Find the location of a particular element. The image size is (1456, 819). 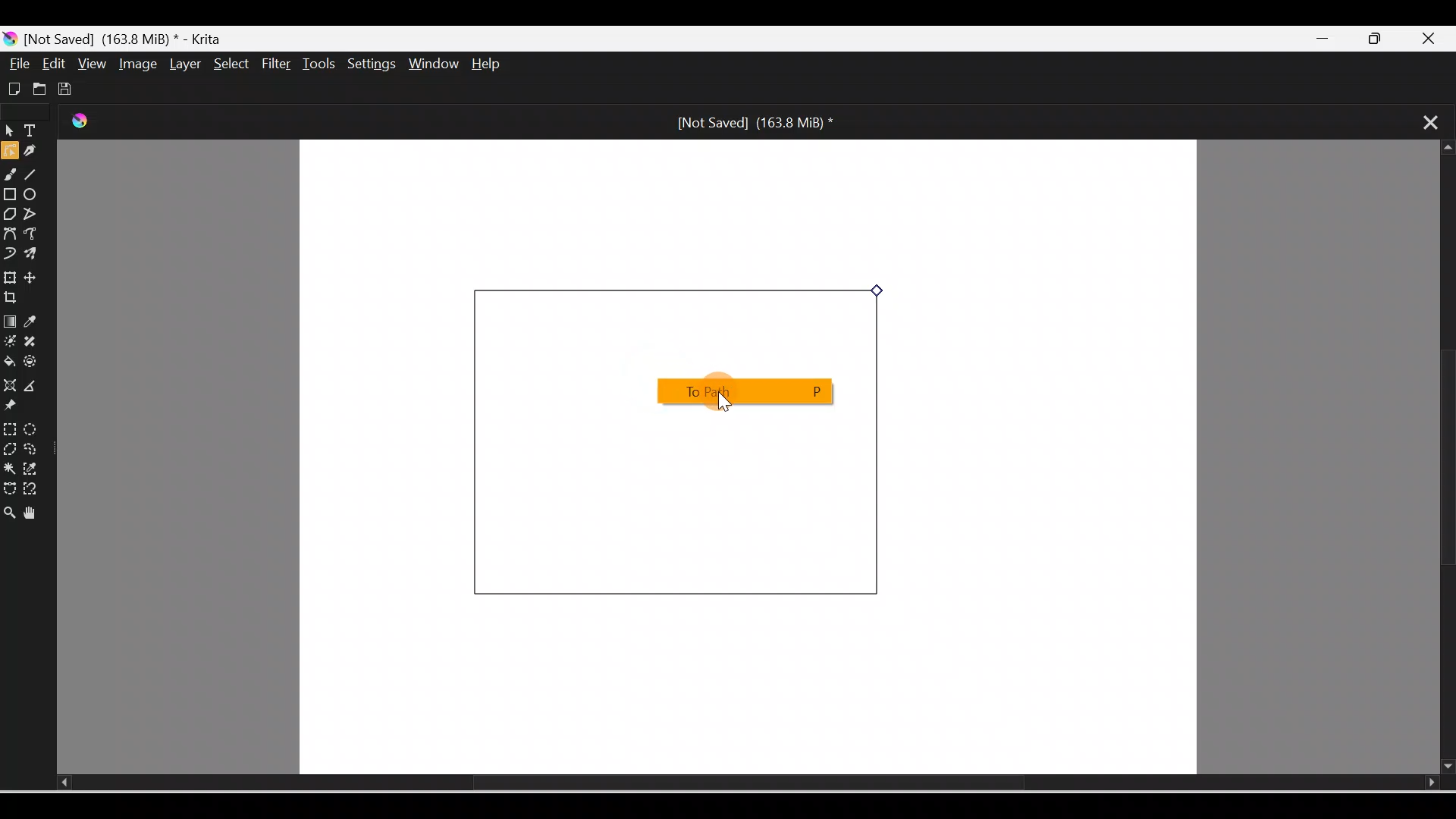

Reference images tool is located at coordinates (19, 408).